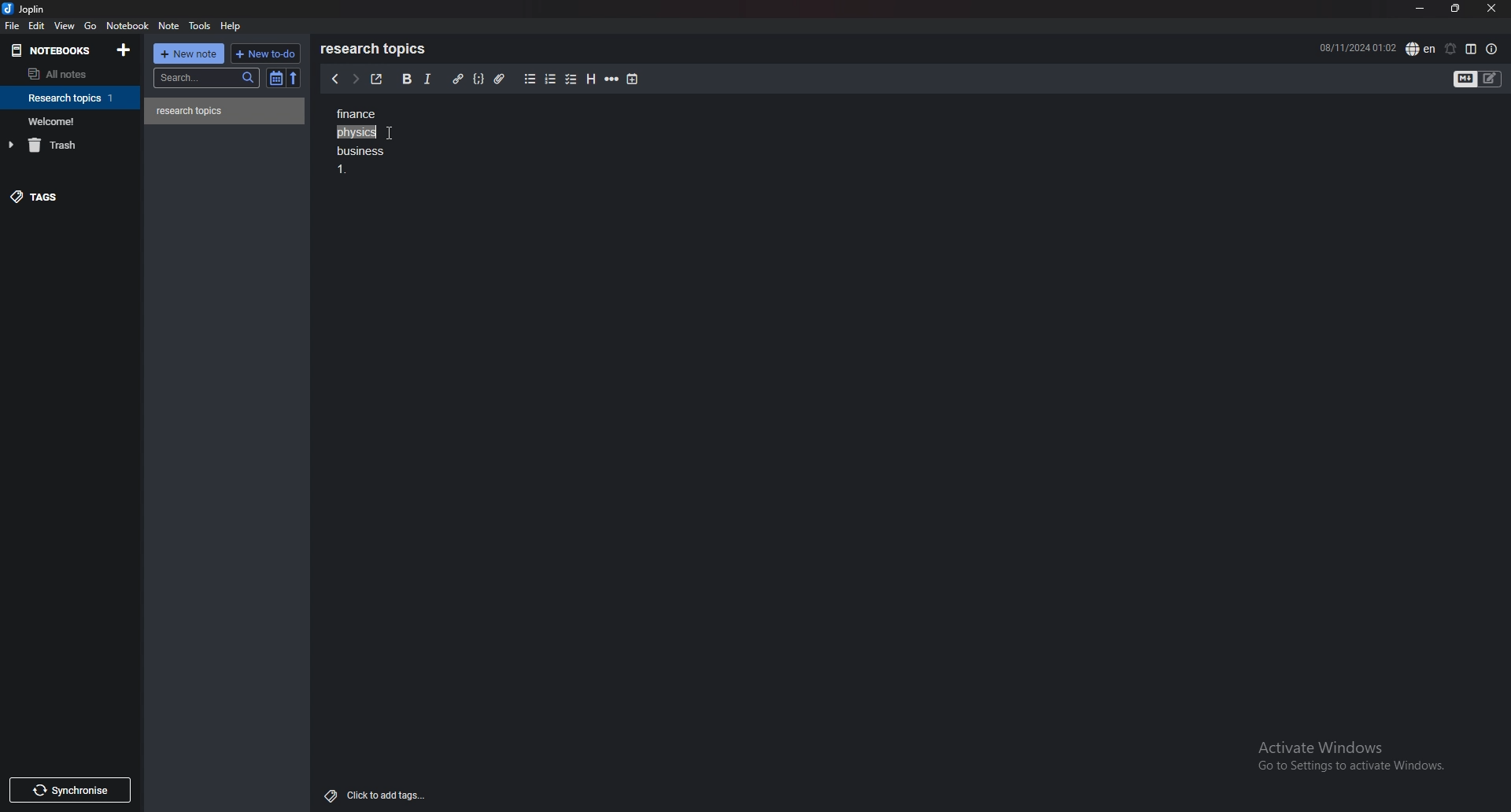 The image size is (1511, 812). Describe the element at coordinates (613, 79) in the screenshot. I see `horizontal rule` at that location.